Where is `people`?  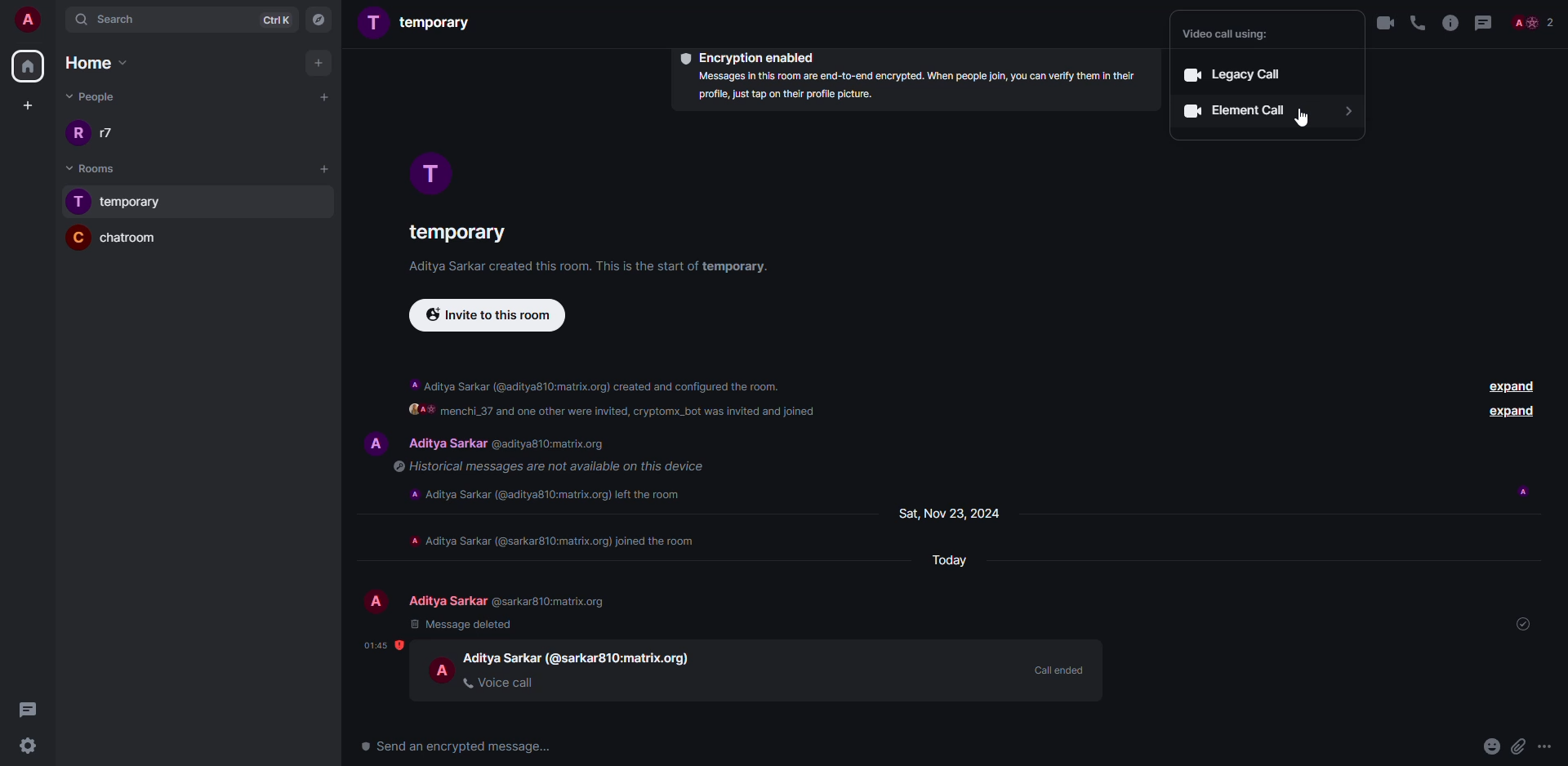 people is located at coordinates (445, 443).